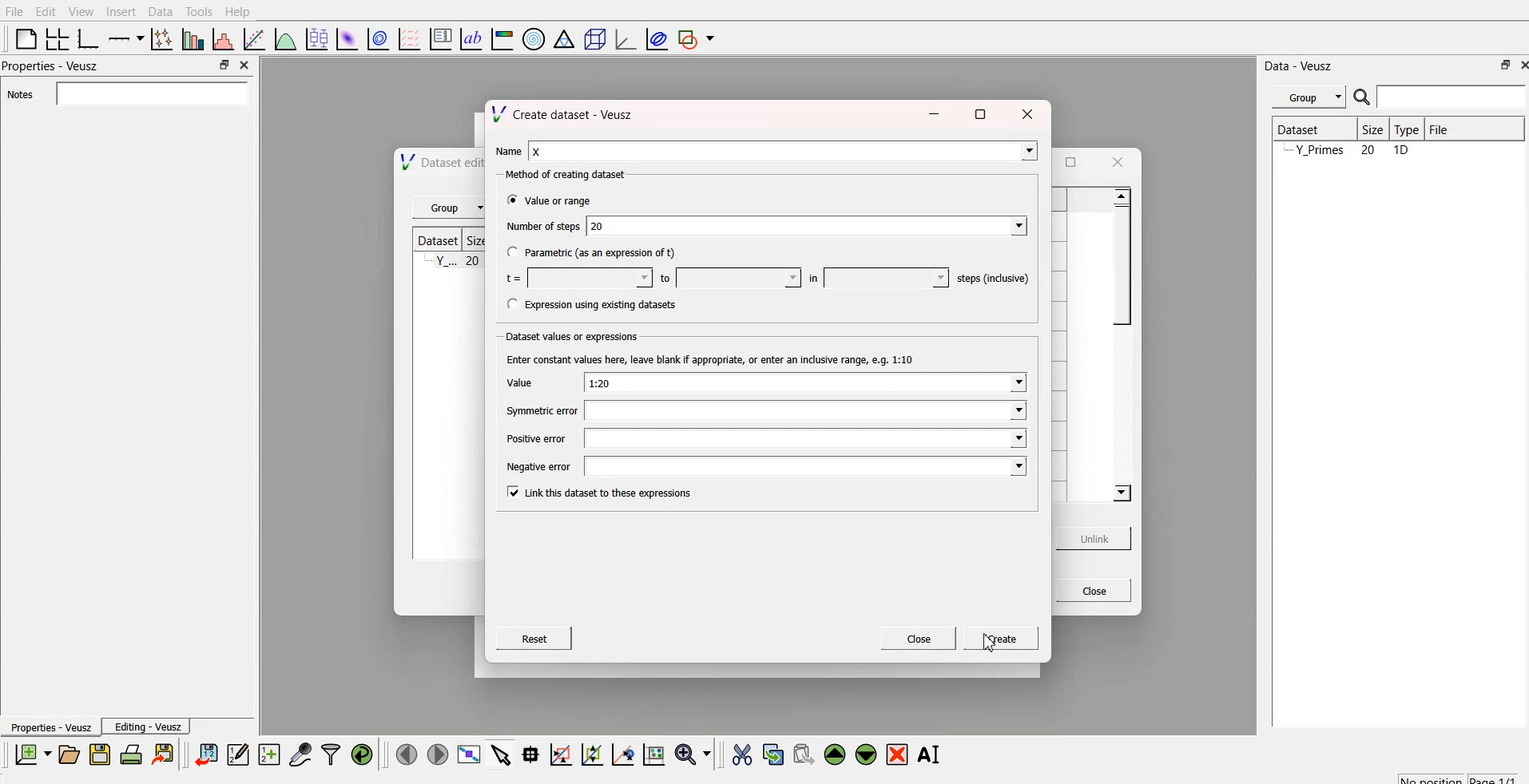 Image resolution: width=1529 pixels, height=784 pixels. I want to click on ® Value or range, so click(550, 199).